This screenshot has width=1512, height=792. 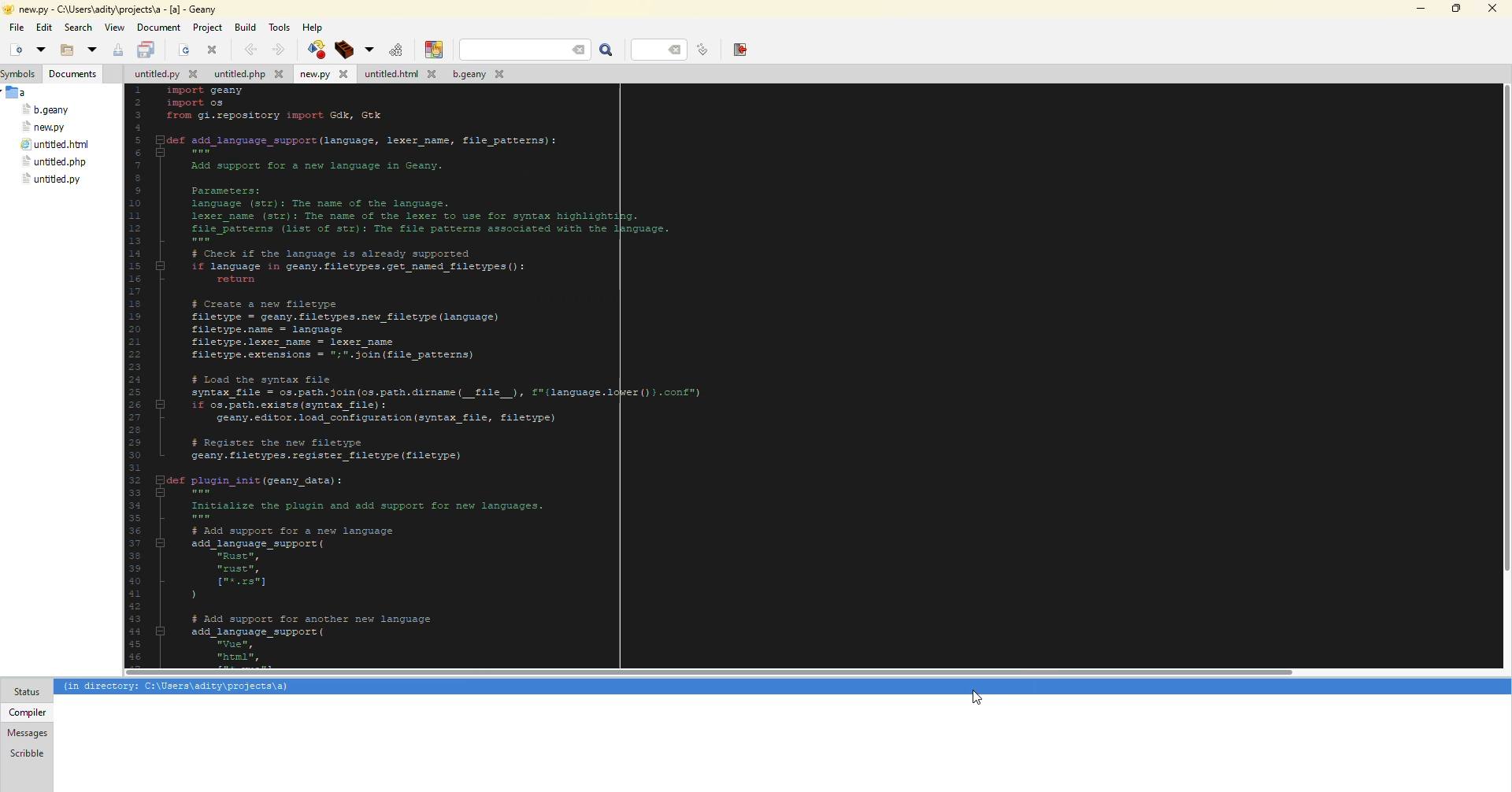 I want to click on file, so click(x=53, y=162).